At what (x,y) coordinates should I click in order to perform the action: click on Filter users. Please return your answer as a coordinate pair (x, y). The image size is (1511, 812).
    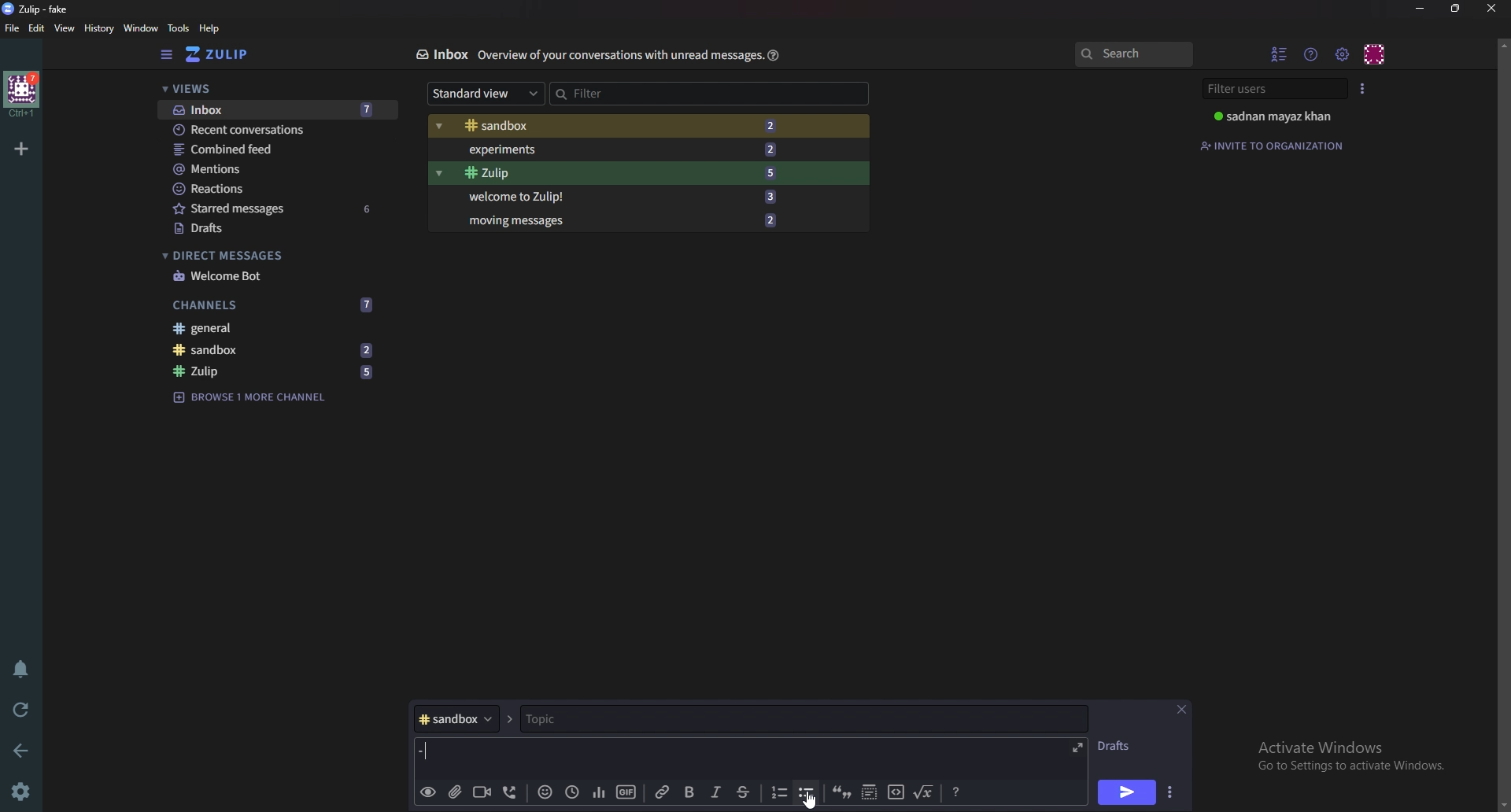
    Looking at the image, I should click on (1277, 89).